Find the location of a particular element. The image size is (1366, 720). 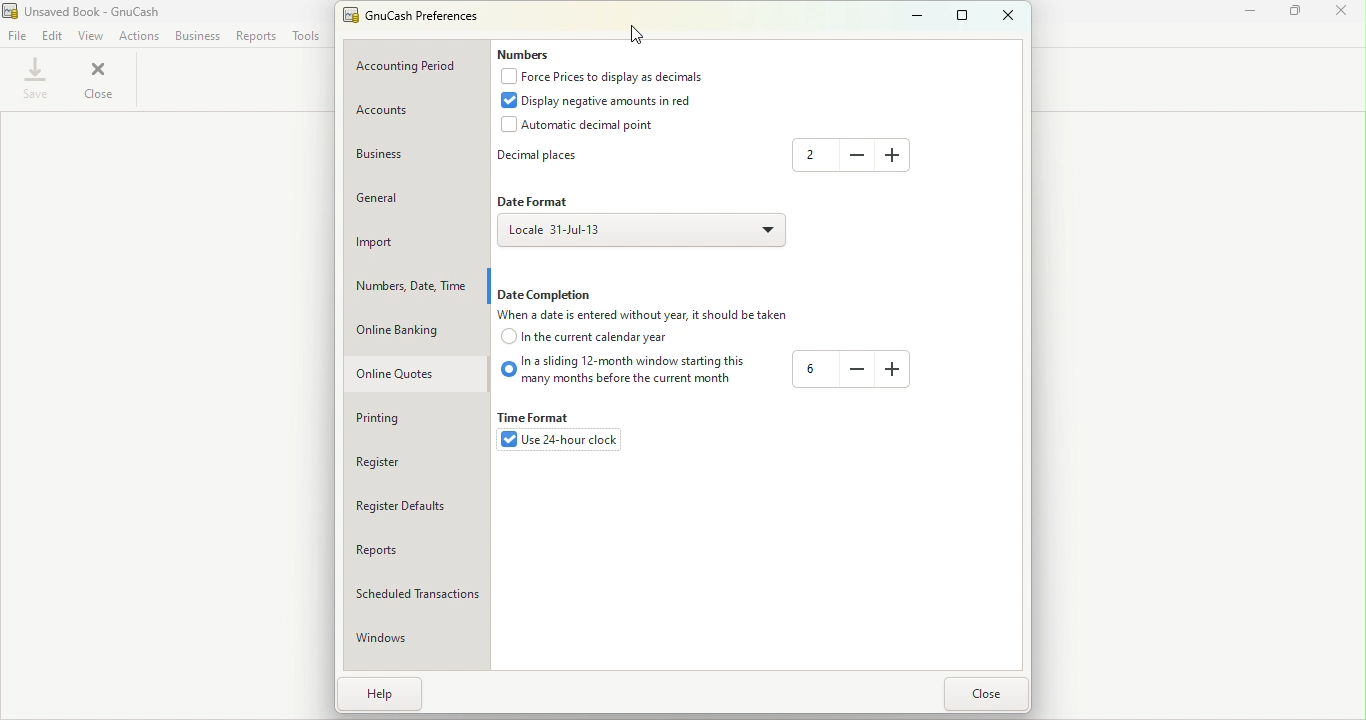

When a date is entered without year, it should be taken is located at coordinates (645, 315).